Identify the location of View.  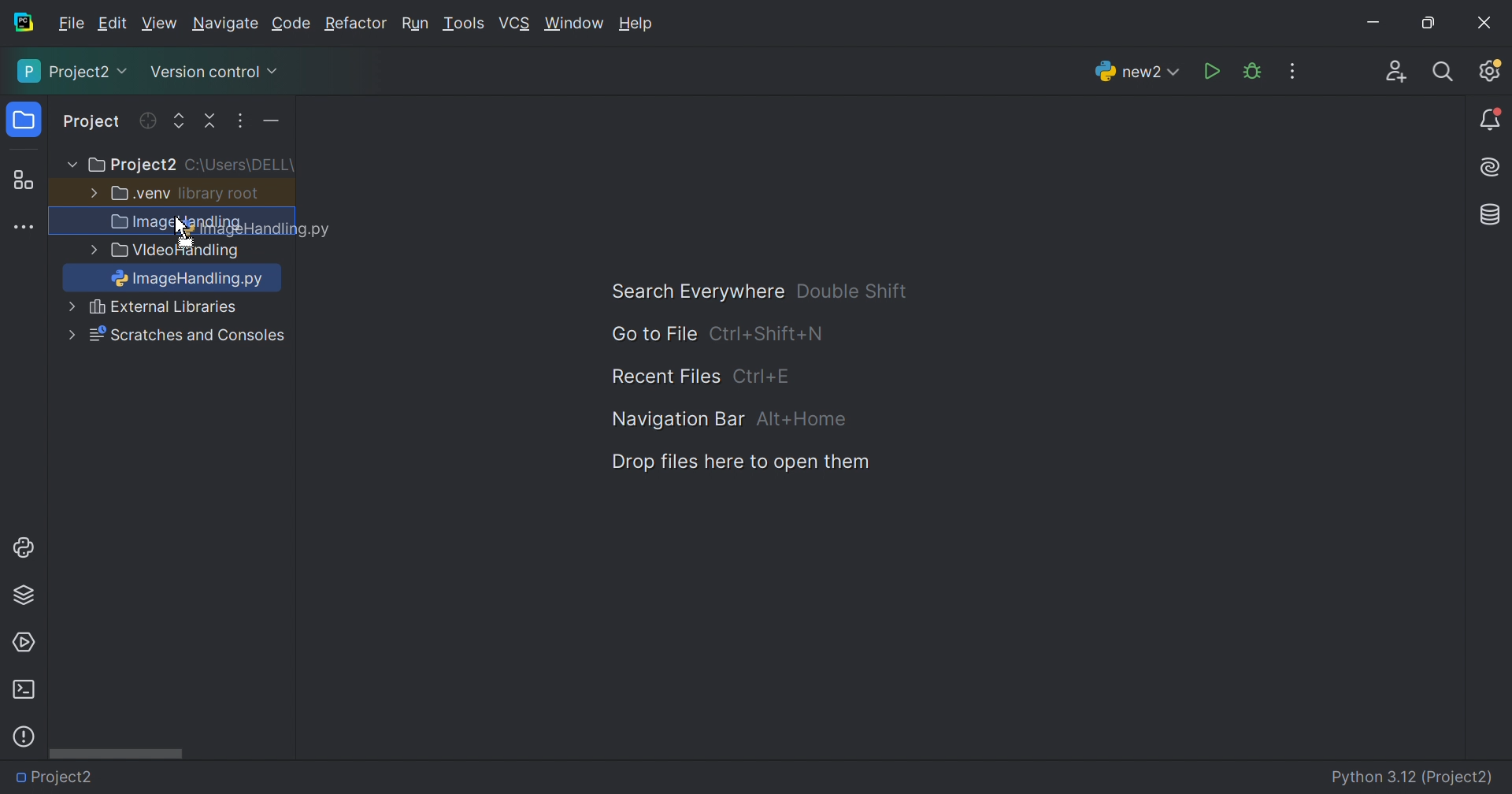
(161, 24).